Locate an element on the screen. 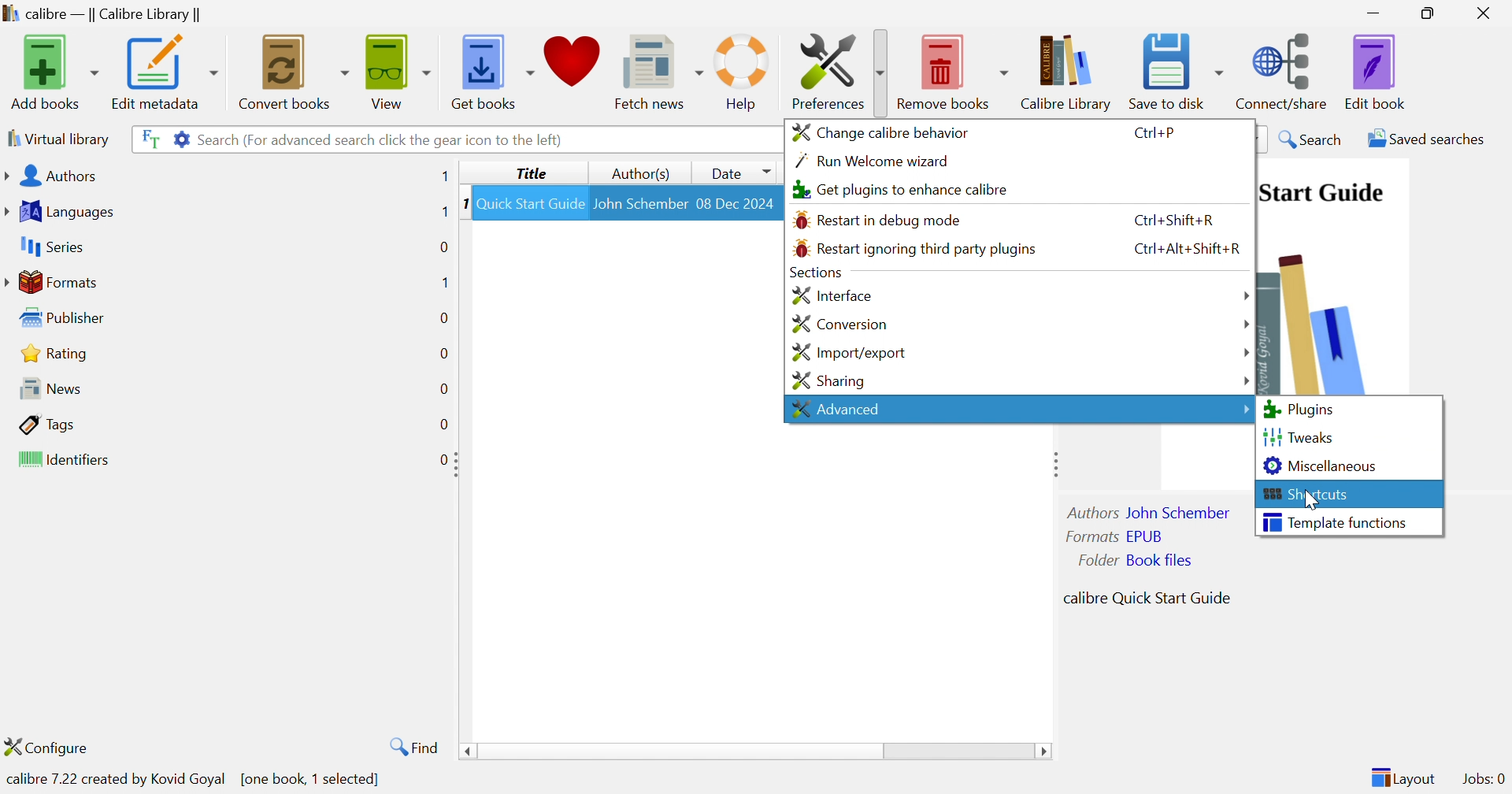 This screenshot has width=1512, height=794. Minimize is located at coordinates (1373, 12).